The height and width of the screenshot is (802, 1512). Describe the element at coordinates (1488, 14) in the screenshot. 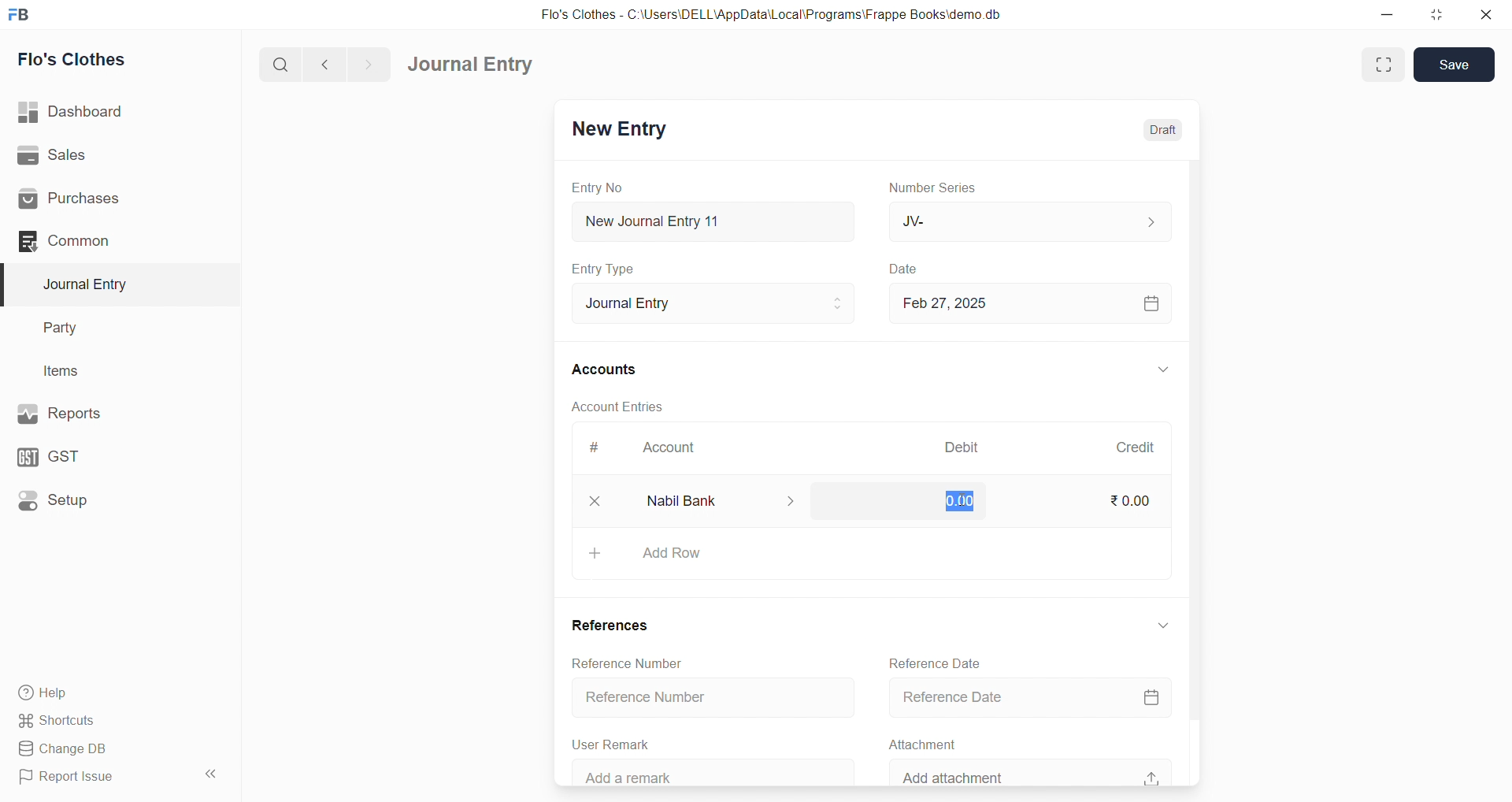

I see `close` at that location.